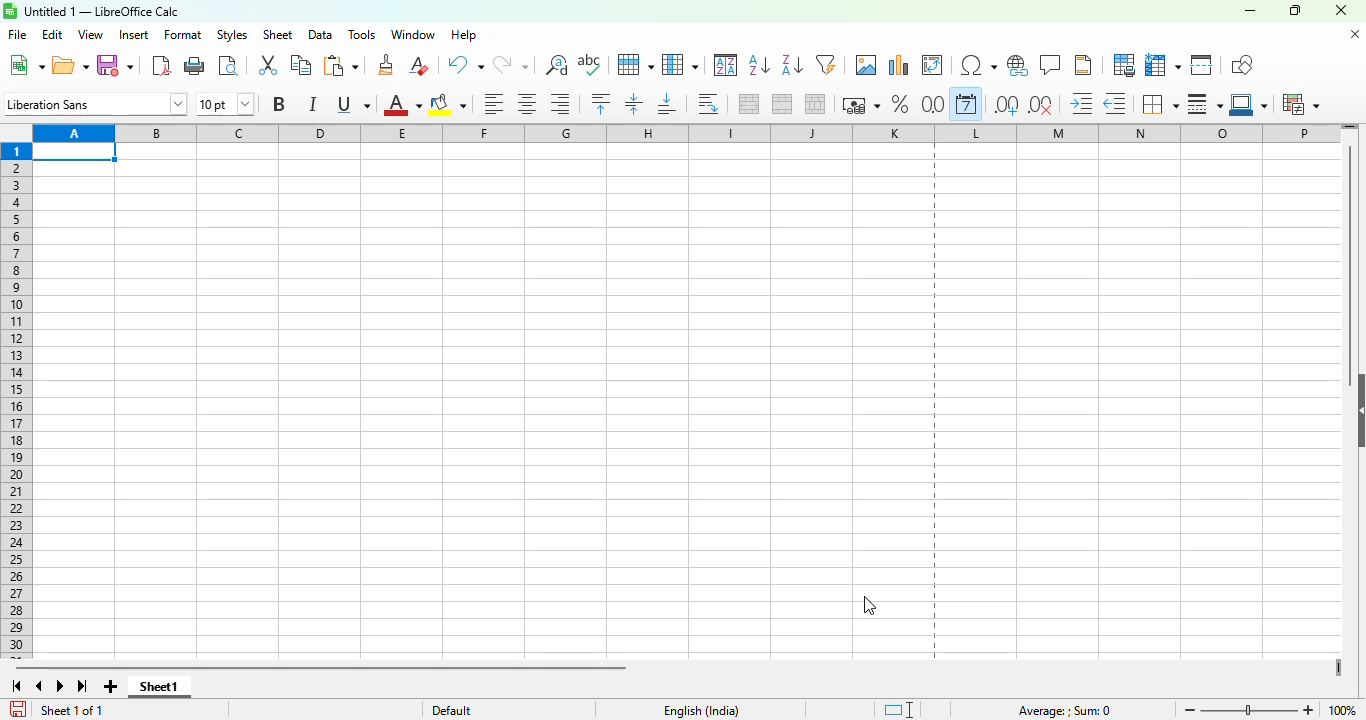 The height and width of the screenshot is (720, 1366). I want to click on sheet 1 of 1, so click(70, 710).